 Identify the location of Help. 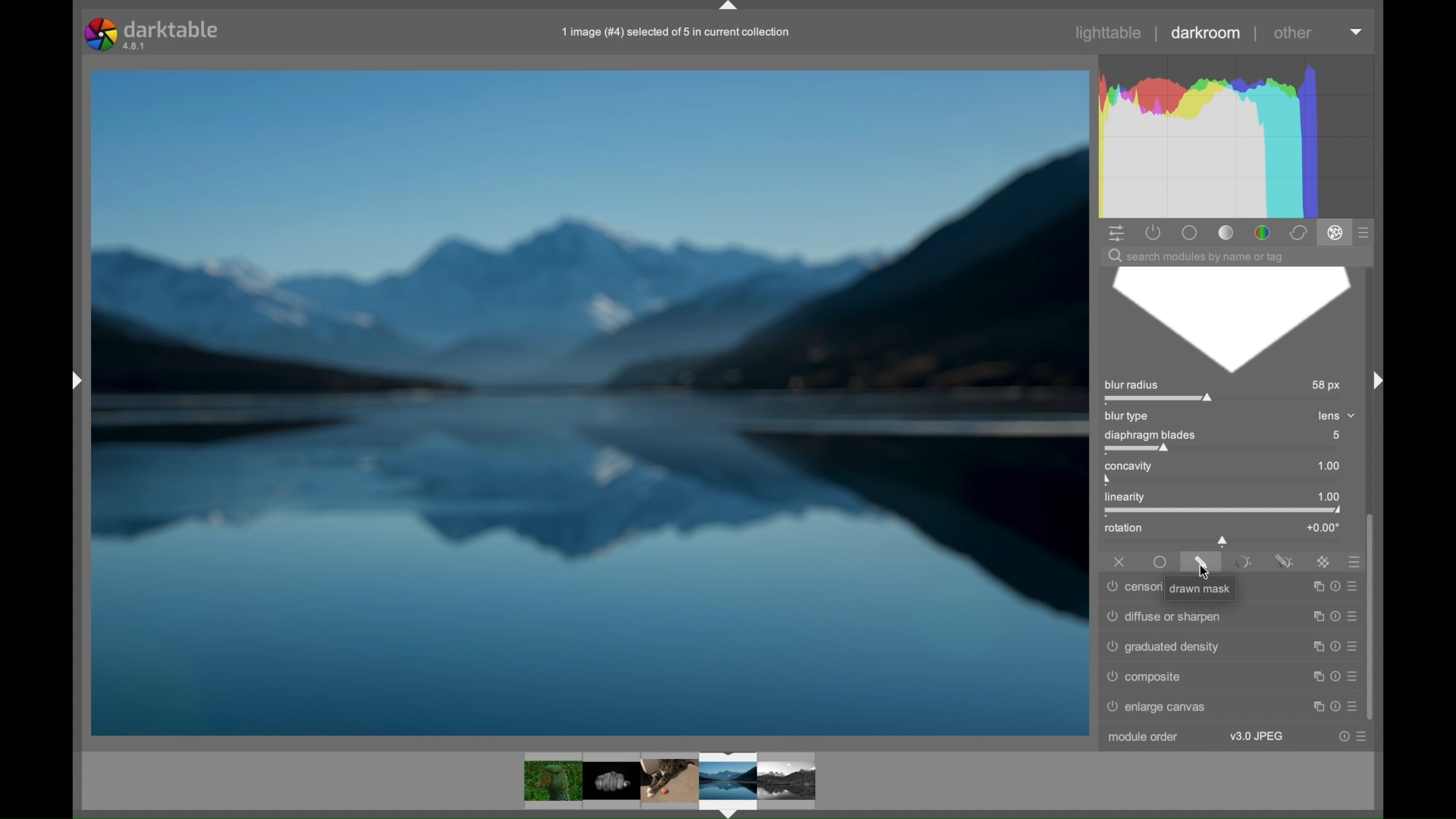
(1343, 736).